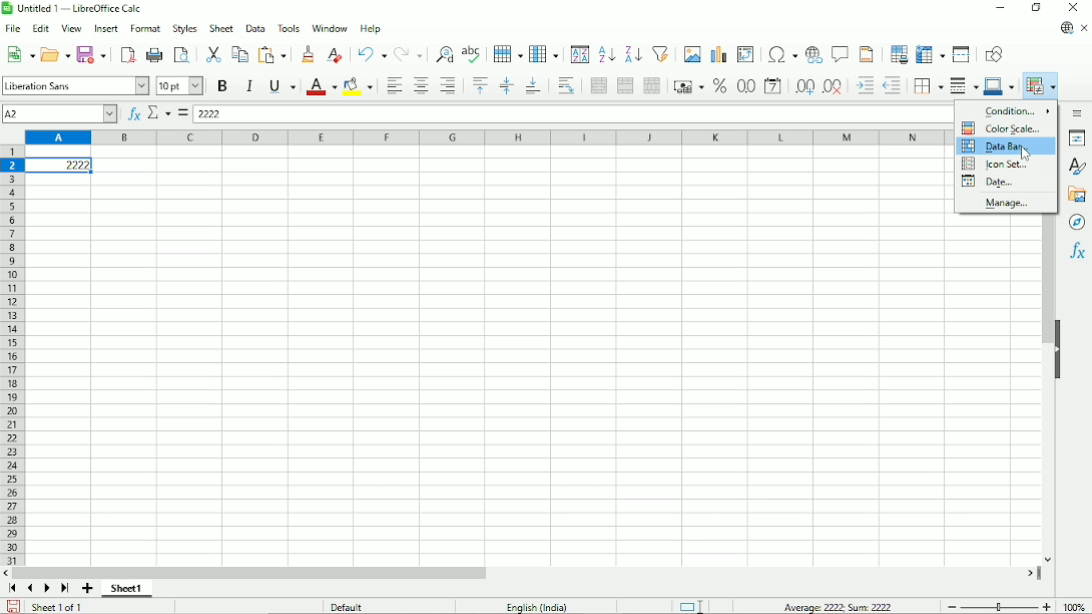 This screenshot has height=614, width=1092. I want to click on Zoom in, so click(1046, 606).